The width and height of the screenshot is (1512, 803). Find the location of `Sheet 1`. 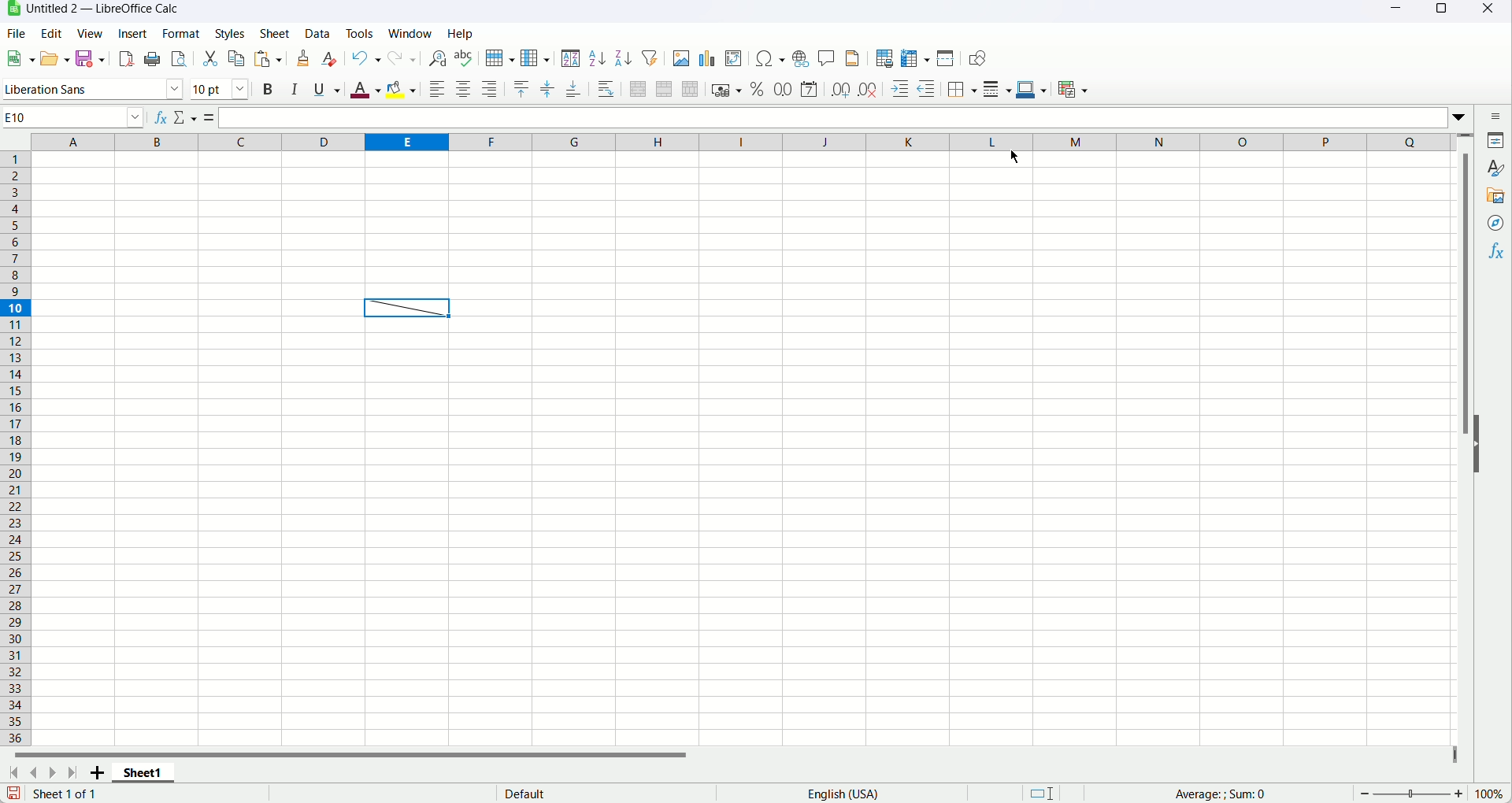

Sheet 1 is located at coordinates (144, 775).